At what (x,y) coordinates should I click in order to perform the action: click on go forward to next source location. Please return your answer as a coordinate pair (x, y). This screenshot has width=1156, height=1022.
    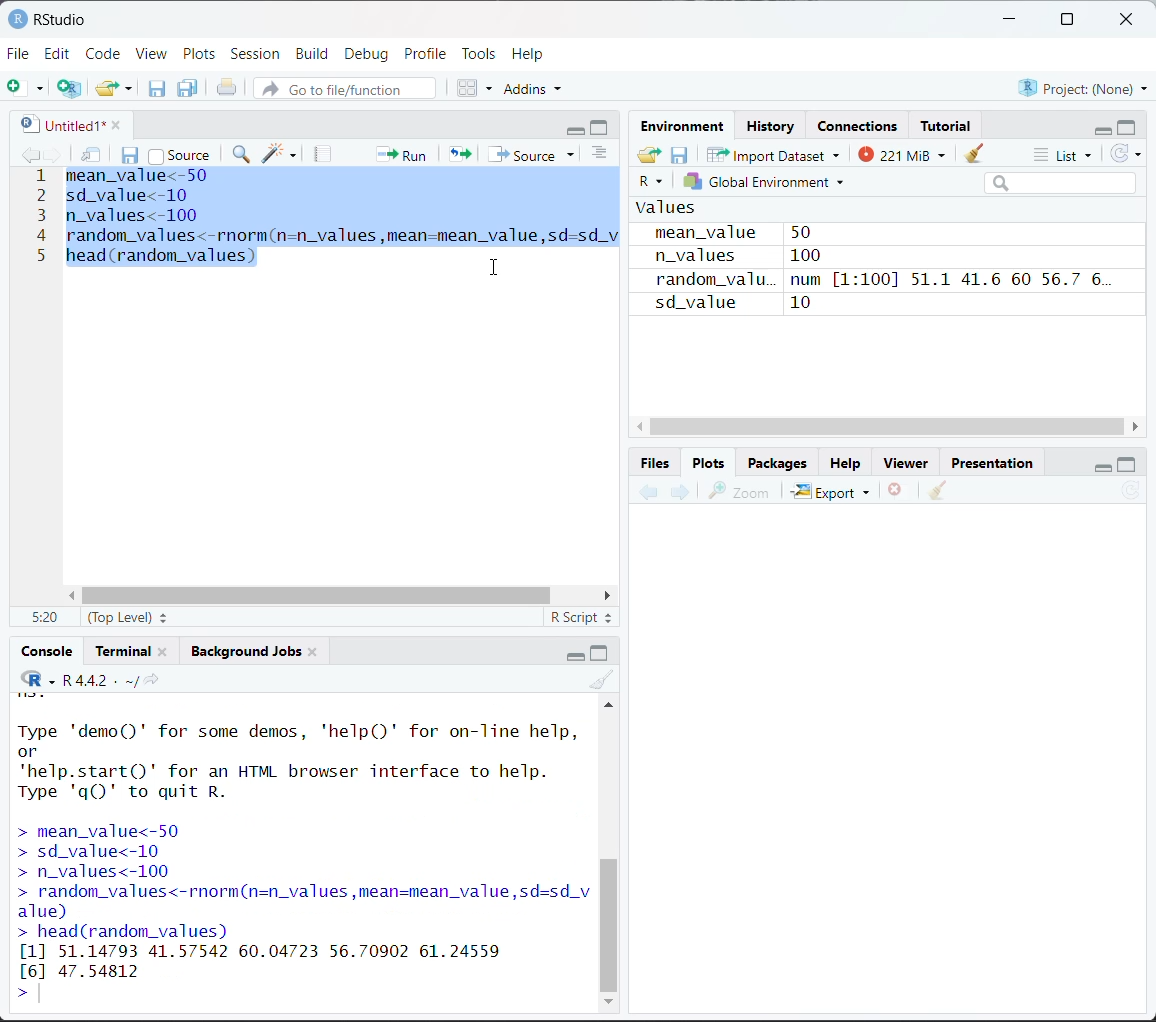
    Looking at the image, I should click on (54, 156).